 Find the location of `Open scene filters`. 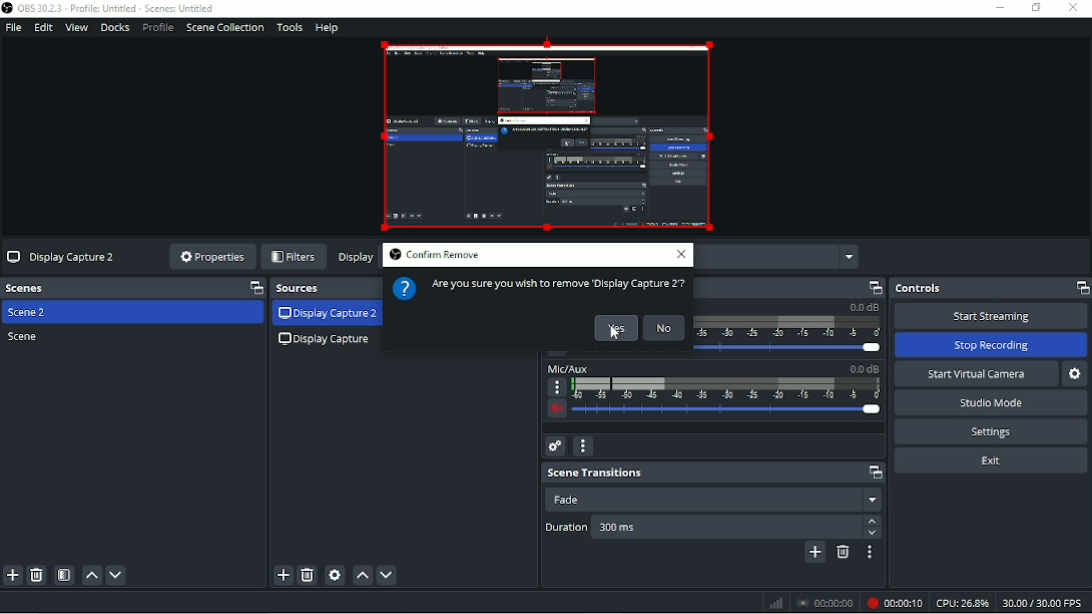

Open scene filters is located at coordinates (64, 576).